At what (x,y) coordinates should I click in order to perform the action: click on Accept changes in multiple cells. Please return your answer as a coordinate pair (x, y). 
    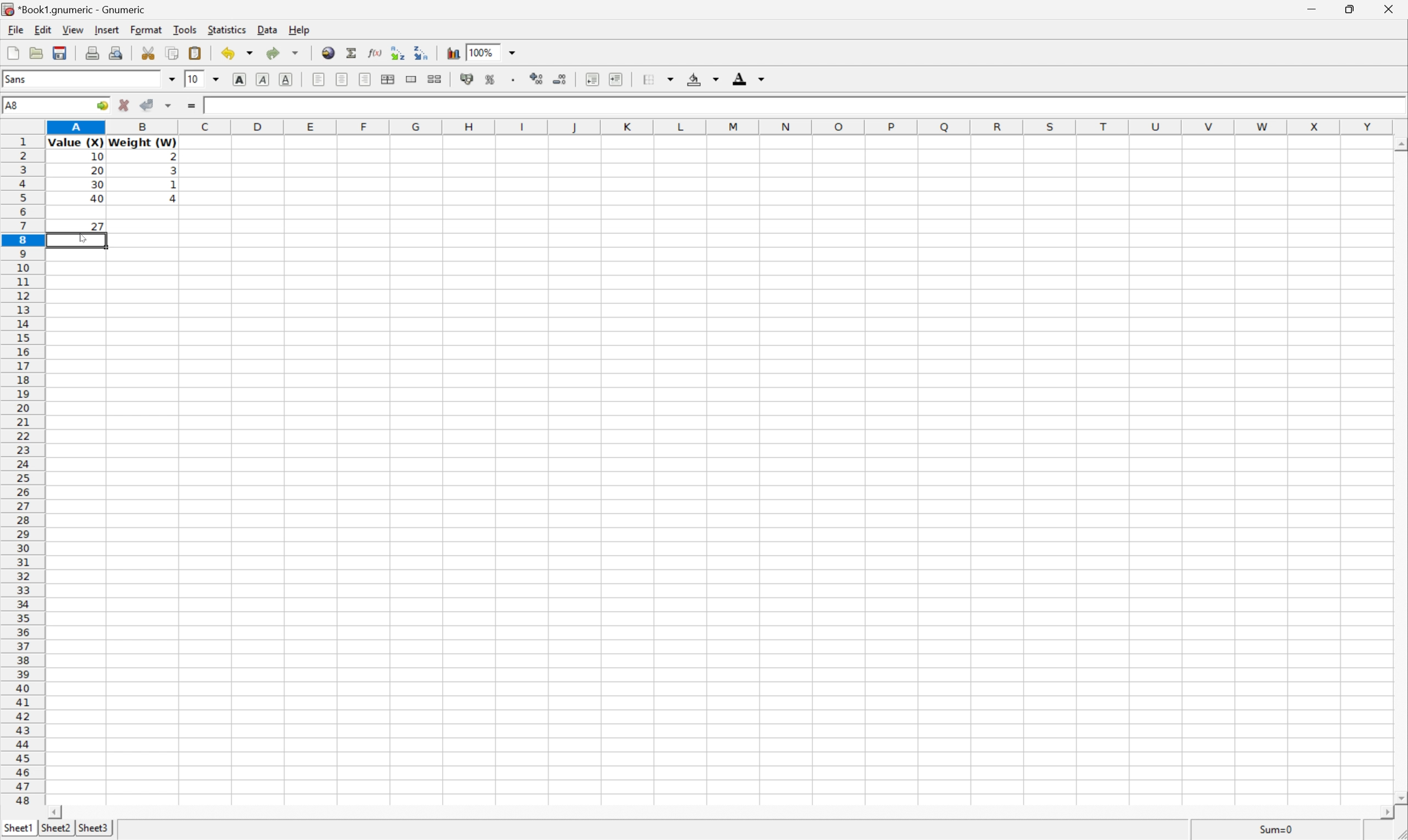
    Looking at the image, I should click on (168, 107).